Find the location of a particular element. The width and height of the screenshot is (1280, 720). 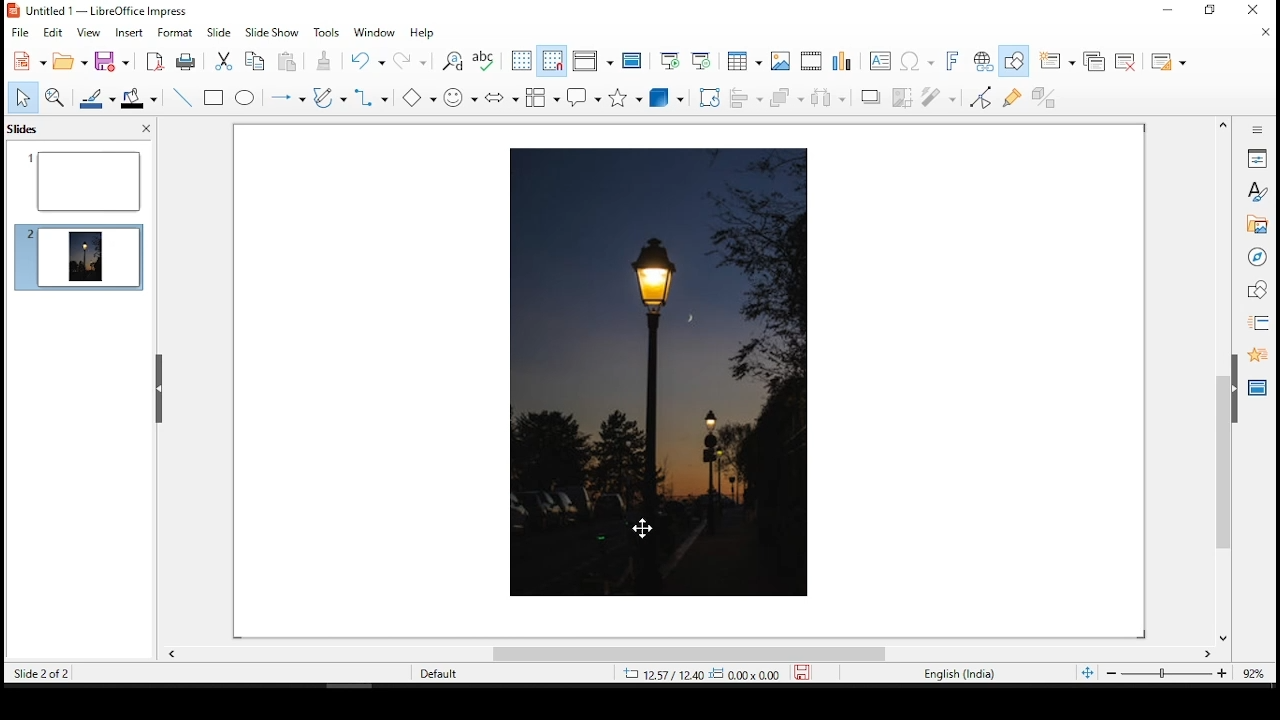

slide is located at coordinates (219, 33).